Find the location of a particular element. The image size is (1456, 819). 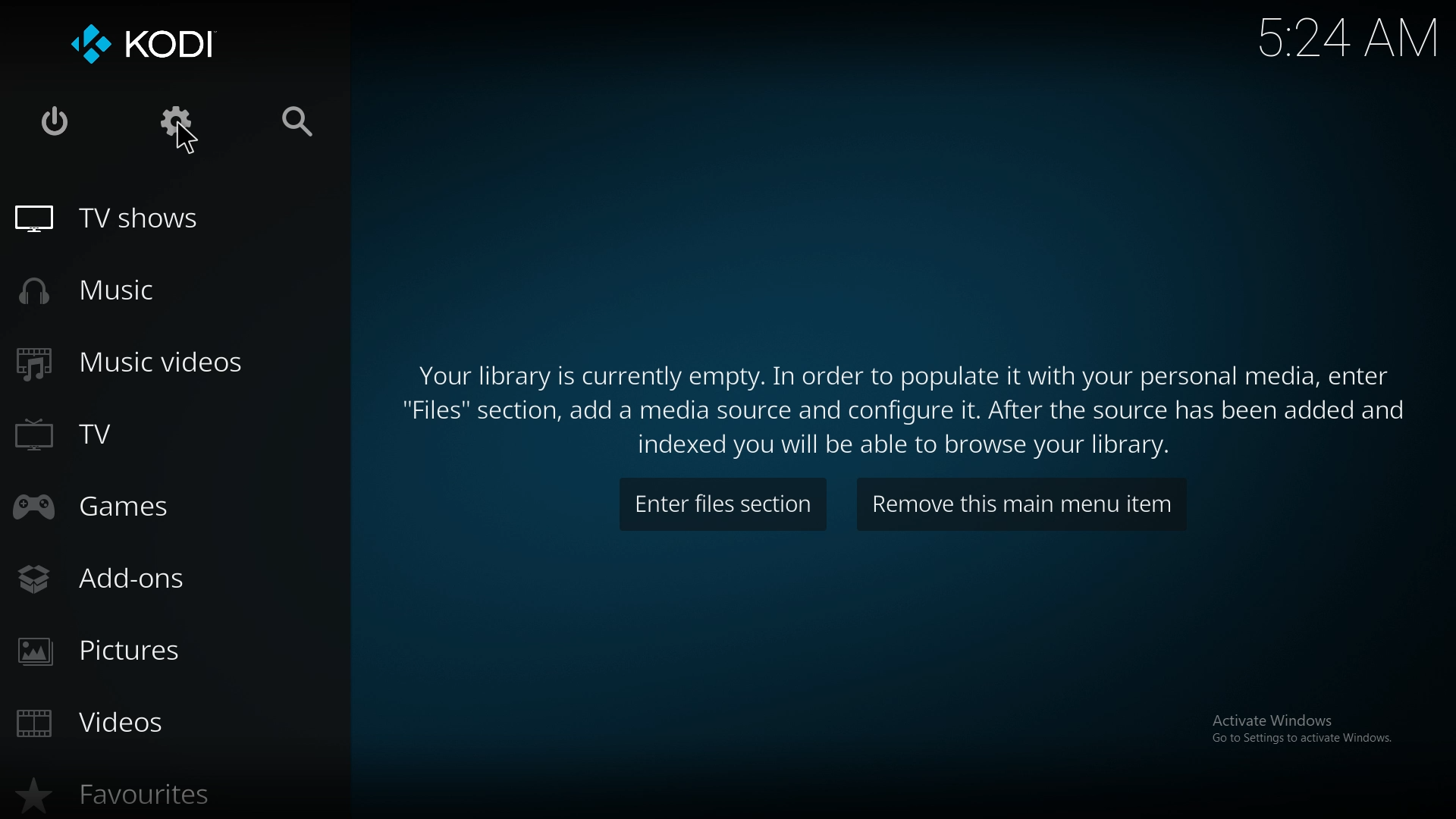

games is located at coordinates (115, 511).